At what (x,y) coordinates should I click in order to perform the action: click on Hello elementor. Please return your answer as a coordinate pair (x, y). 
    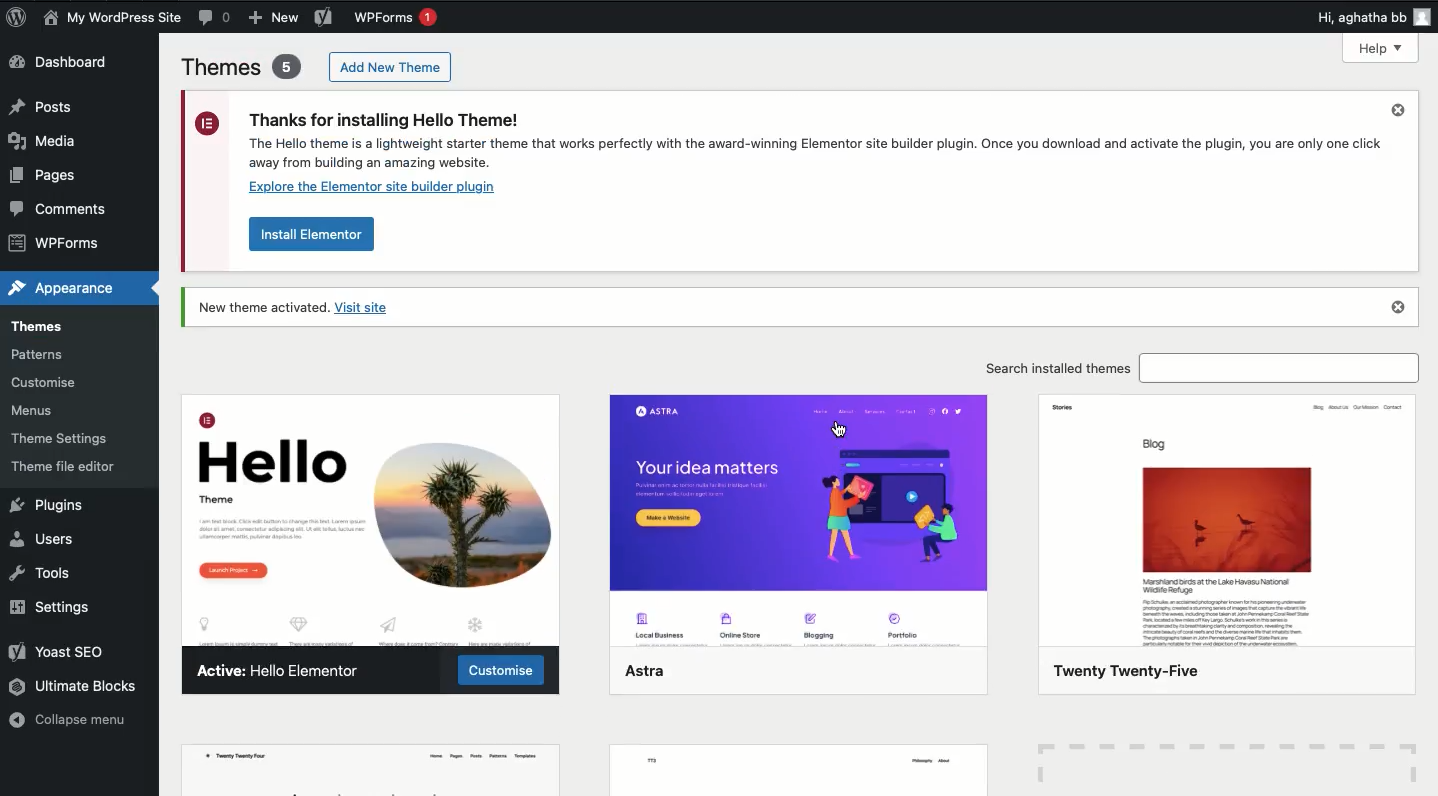
    Looking at the image, I should click on (685, 414).